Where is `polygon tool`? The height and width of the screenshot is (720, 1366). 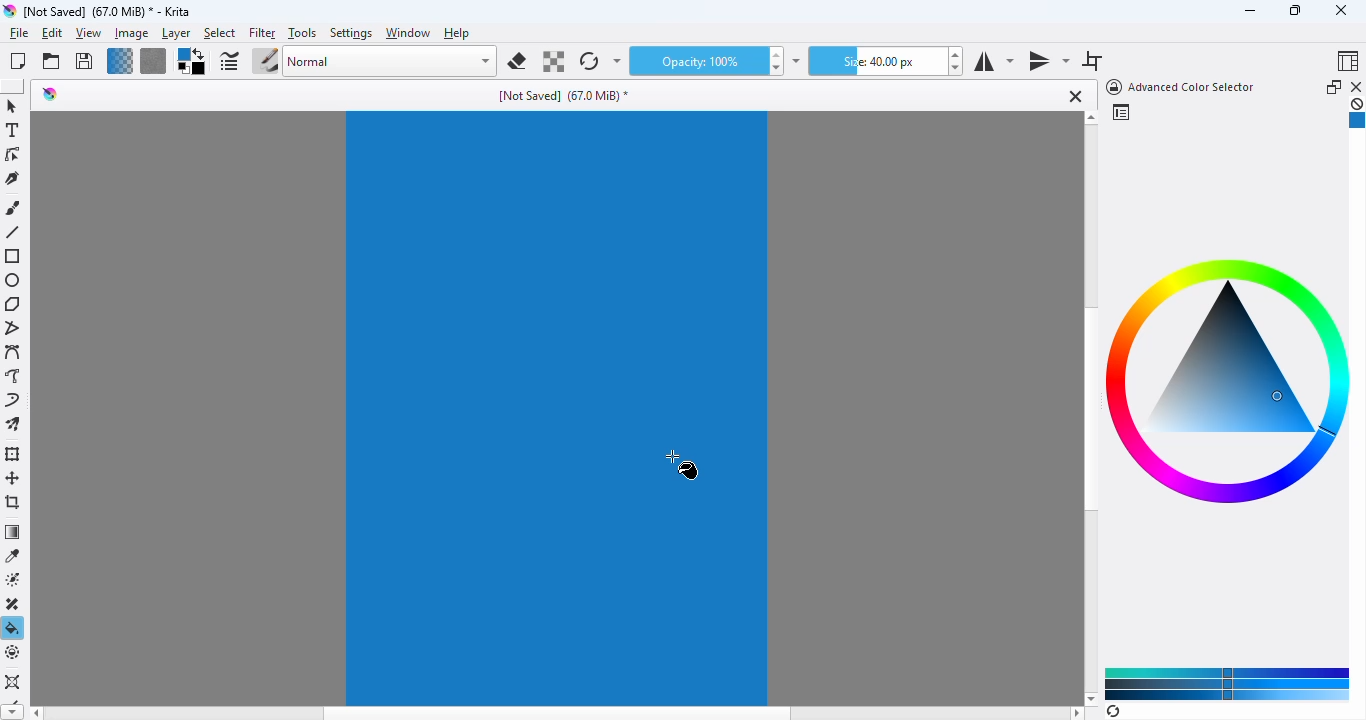
polygon tool is located at coordinates (12, 304).